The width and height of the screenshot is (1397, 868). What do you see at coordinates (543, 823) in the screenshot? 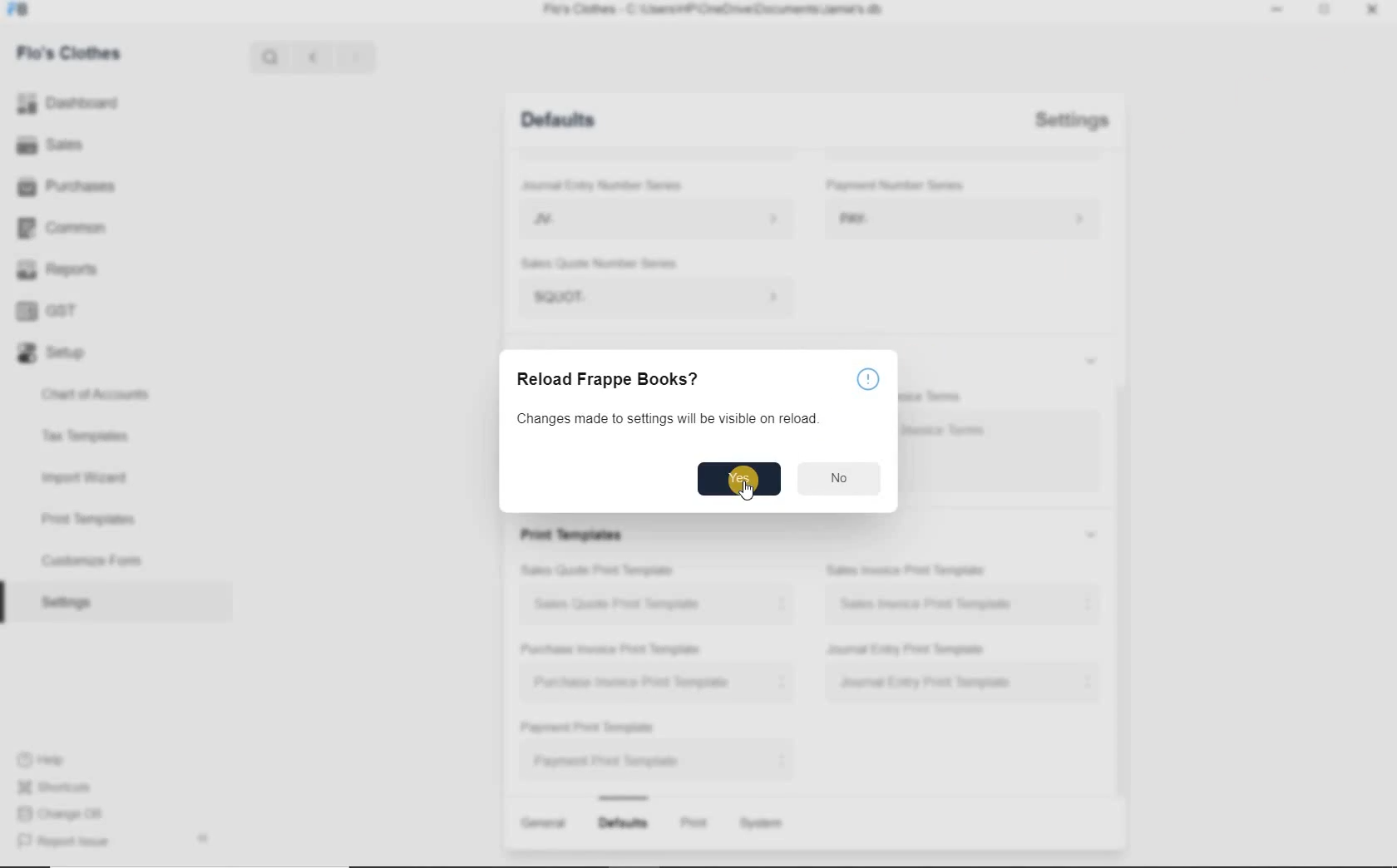
I see `General` at bounding box center [543, 823].